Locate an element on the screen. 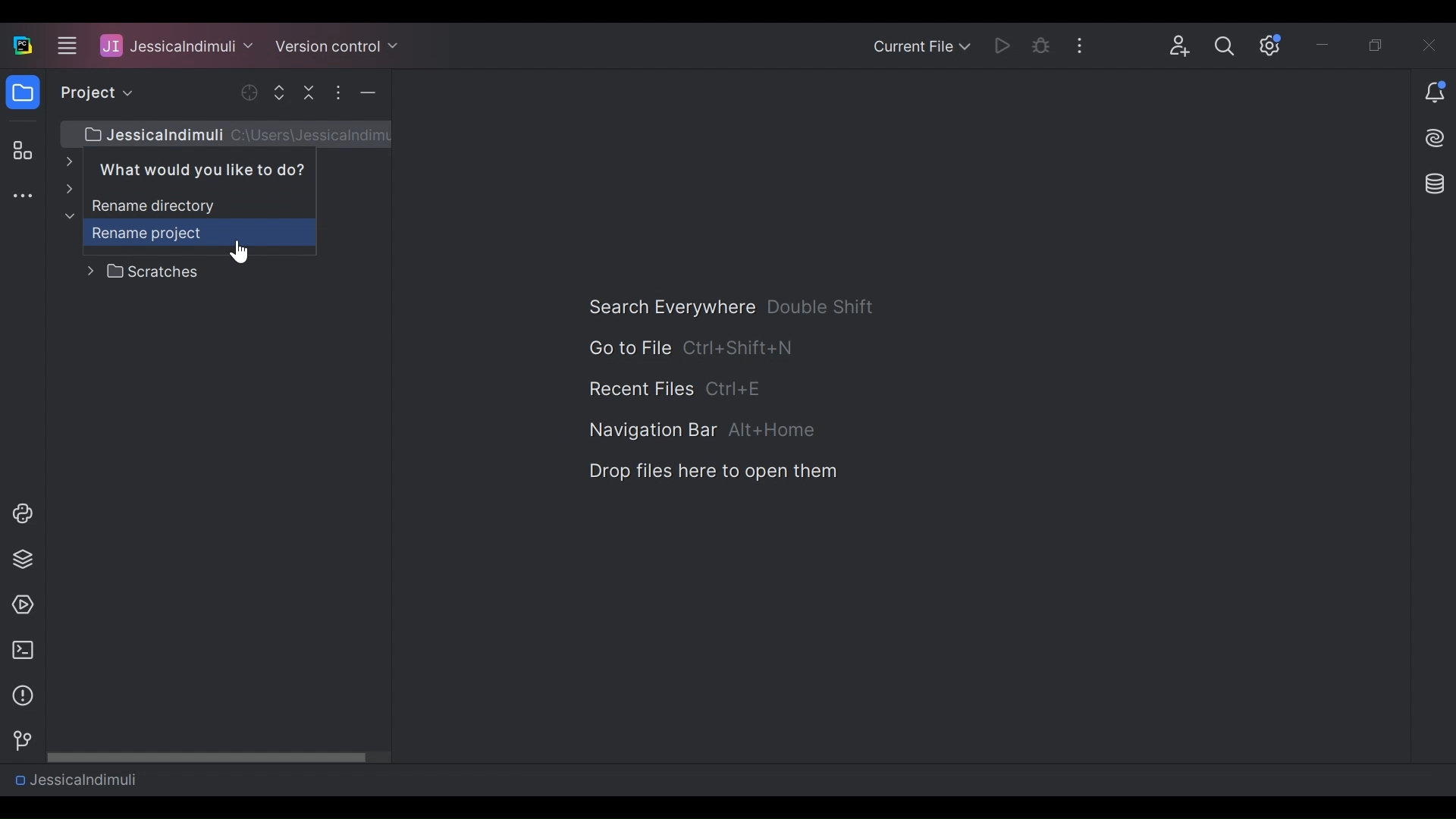 Image resolution: width=1456 pixels, height=819 pixels. Cursor is located at coordinates (237, 253).